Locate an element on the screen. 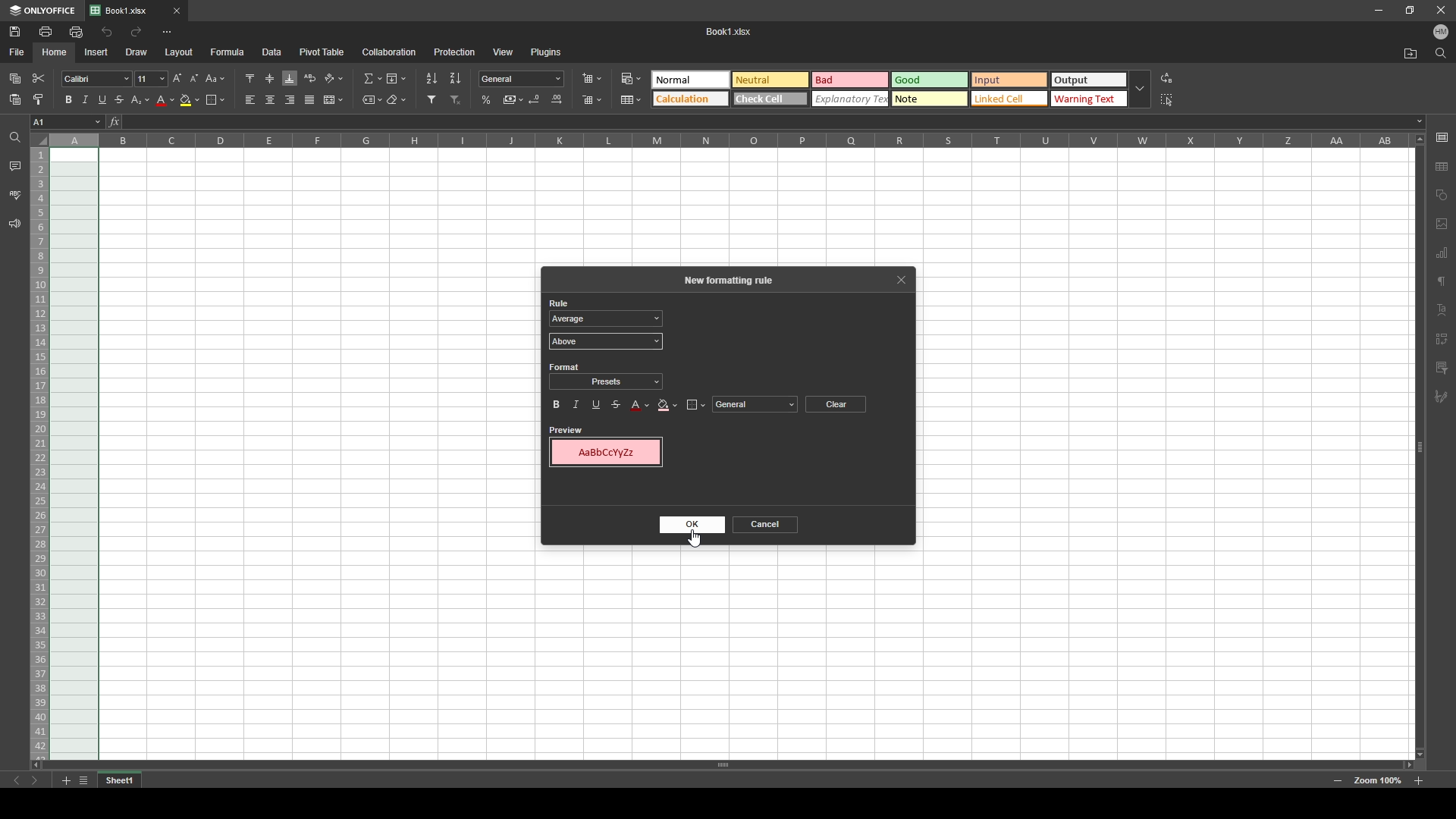 This screenshot has width=1456, height=819. bold is located at coordinates (68, 99).